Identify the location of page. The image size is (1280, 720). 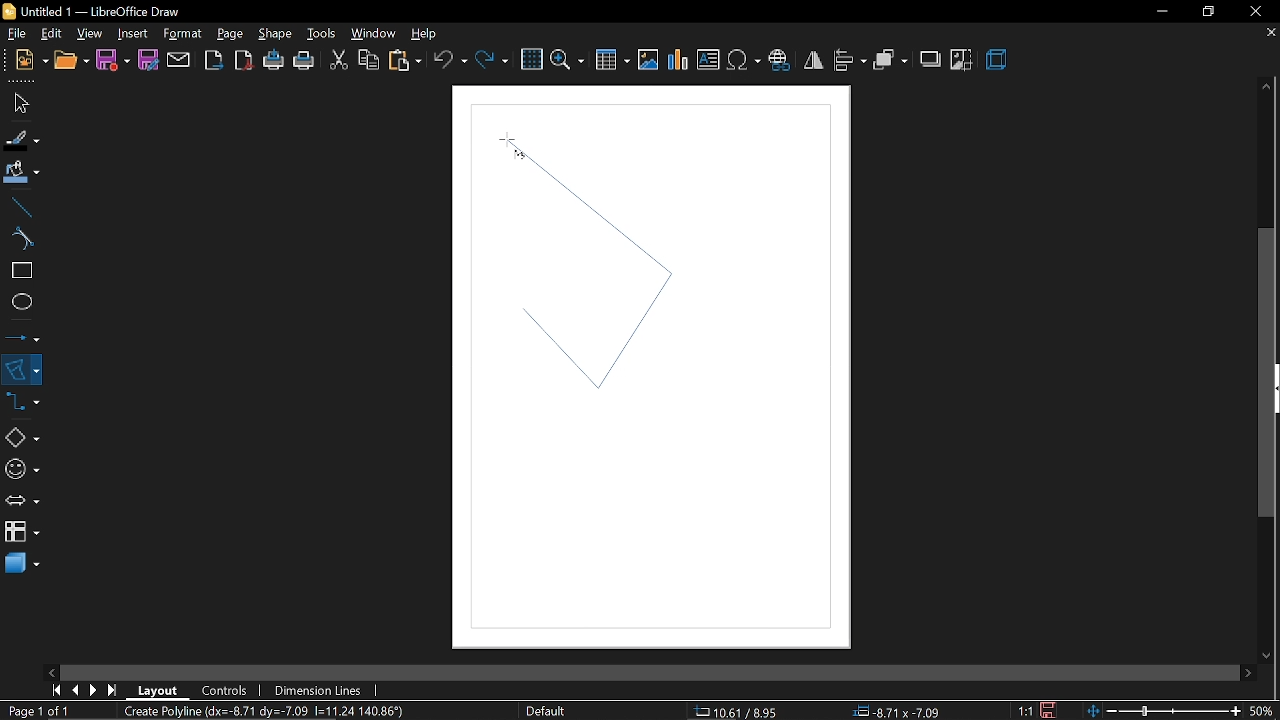
(230, 33).